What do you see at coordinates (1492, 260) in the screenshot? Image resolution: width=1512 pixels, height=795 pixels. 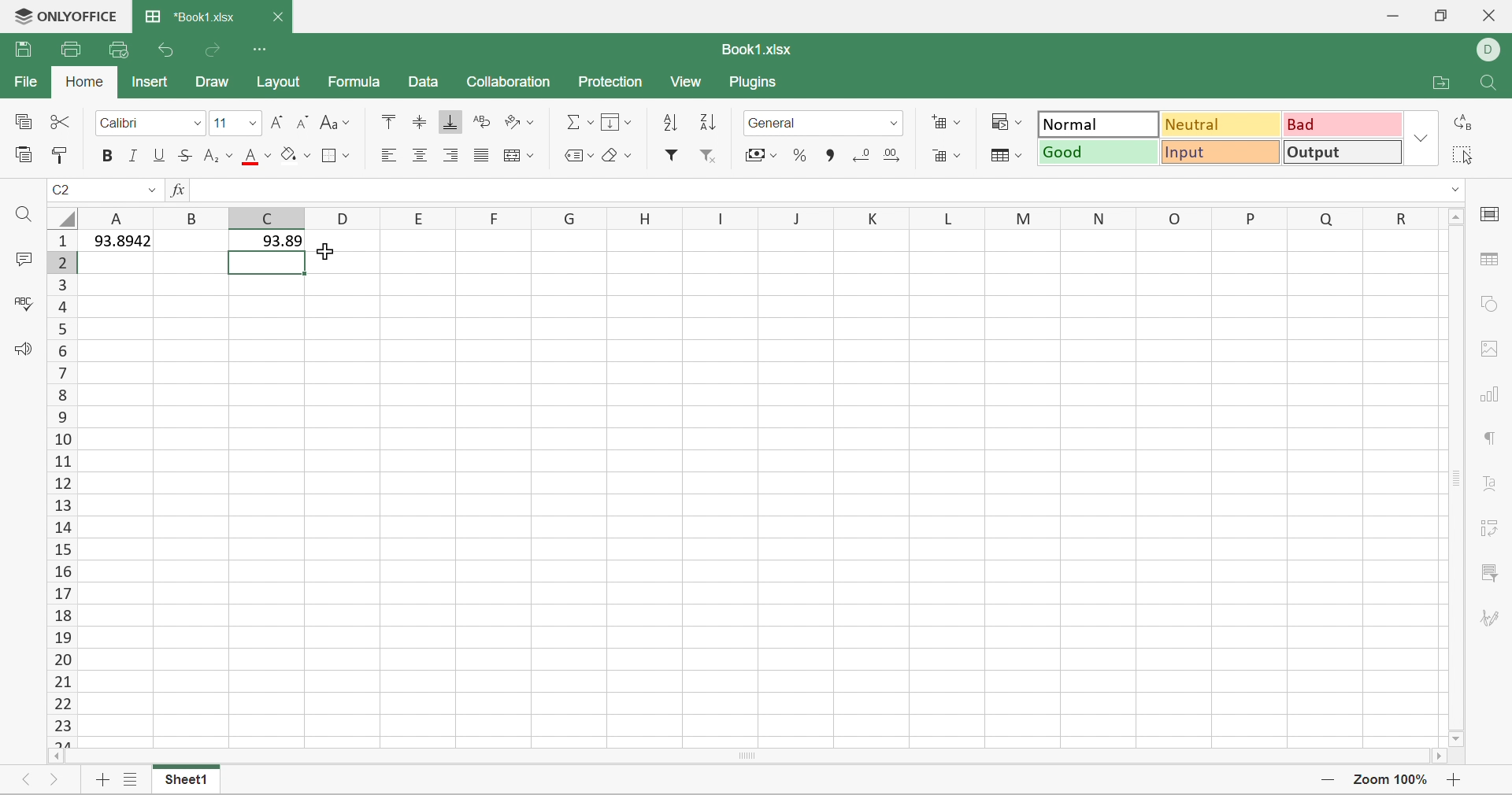 I see `table settings` at bounding box center [1492, 260].